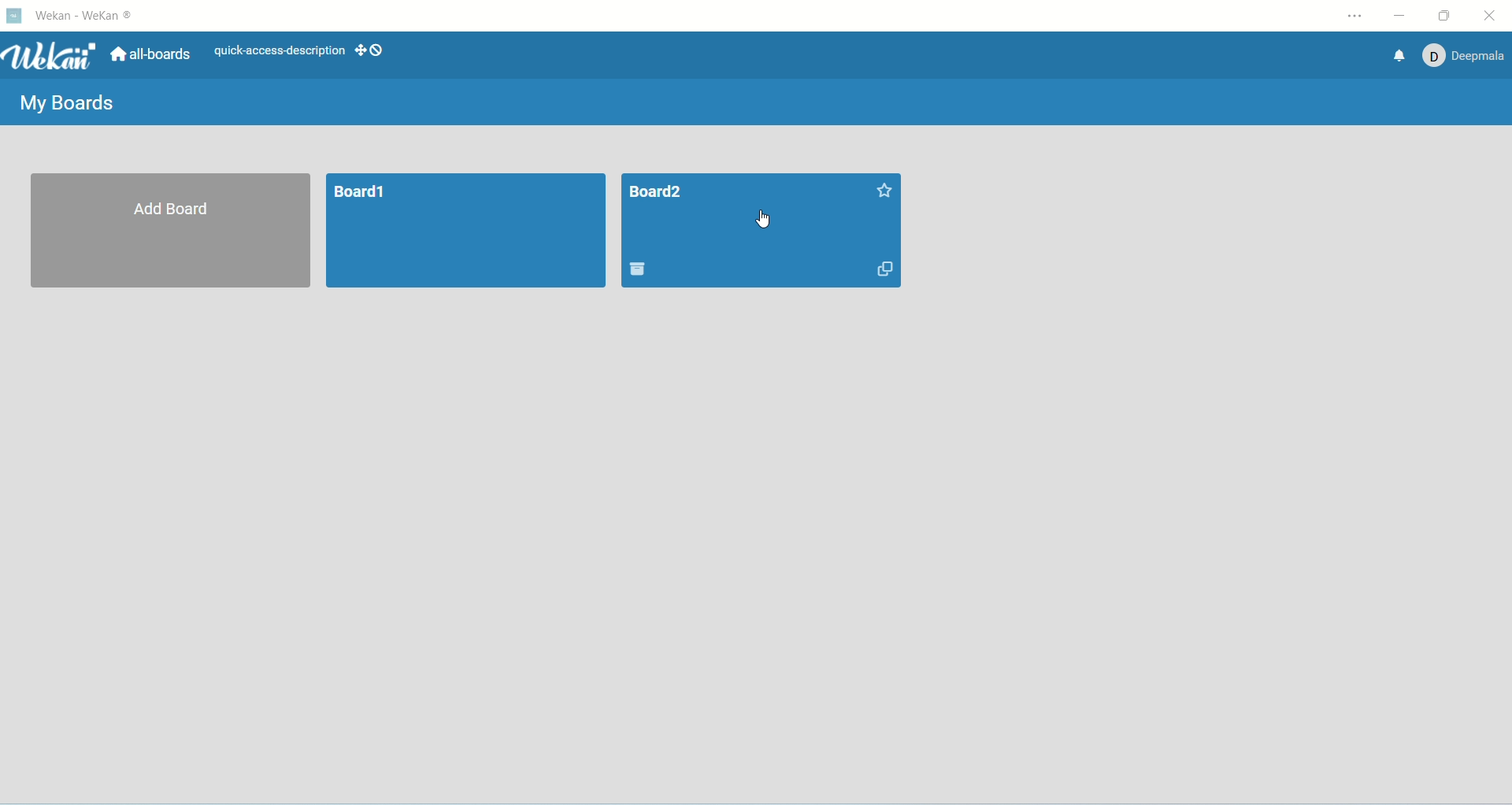 This screenshot has width=1512, height=805. What do you see at coordinates (883, 271) in the screenshot?
I see `duplicate` at bounding box center [883, 271].